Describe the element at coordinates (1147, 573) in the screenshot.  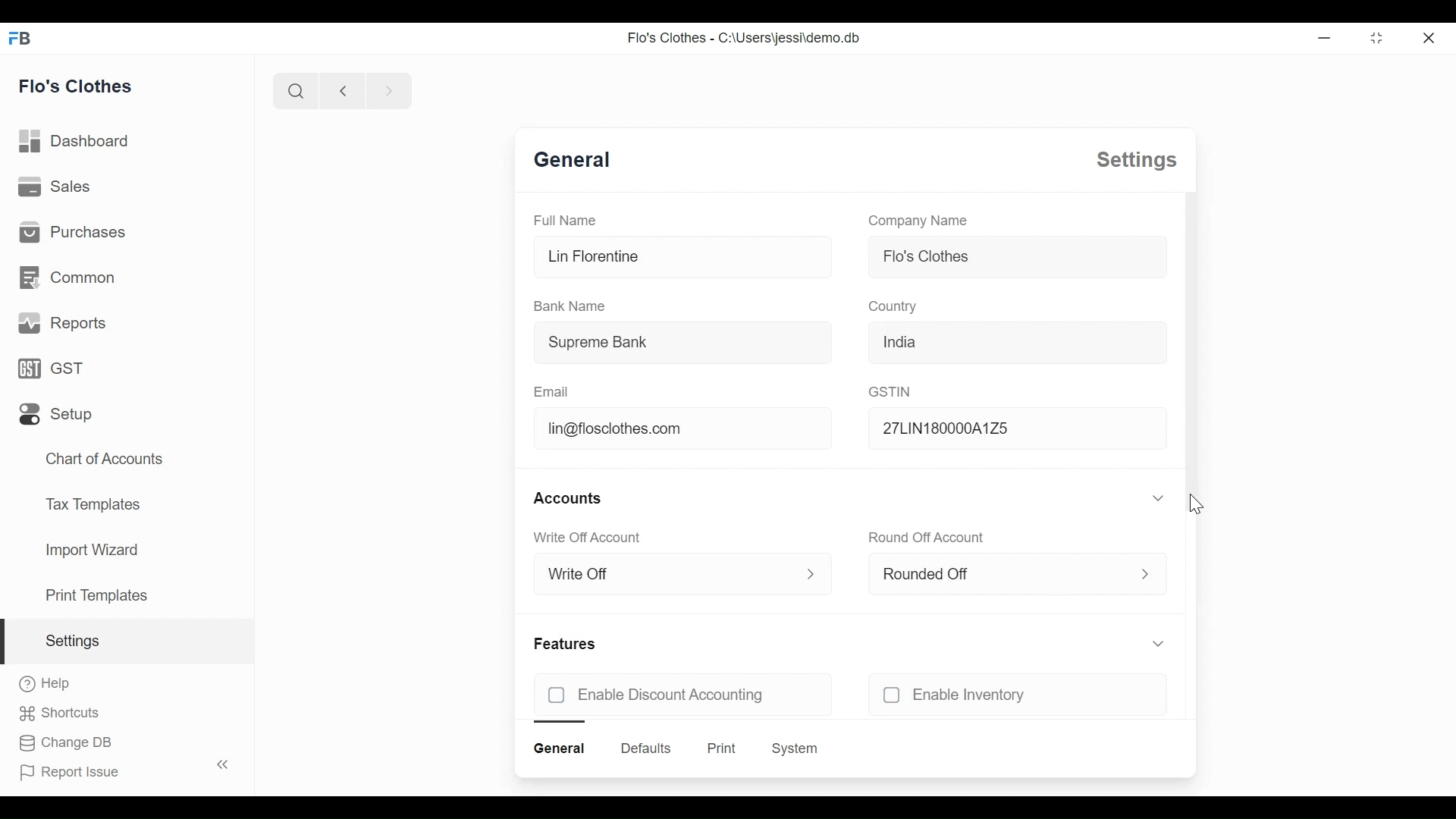
I see `Expand` at that location.